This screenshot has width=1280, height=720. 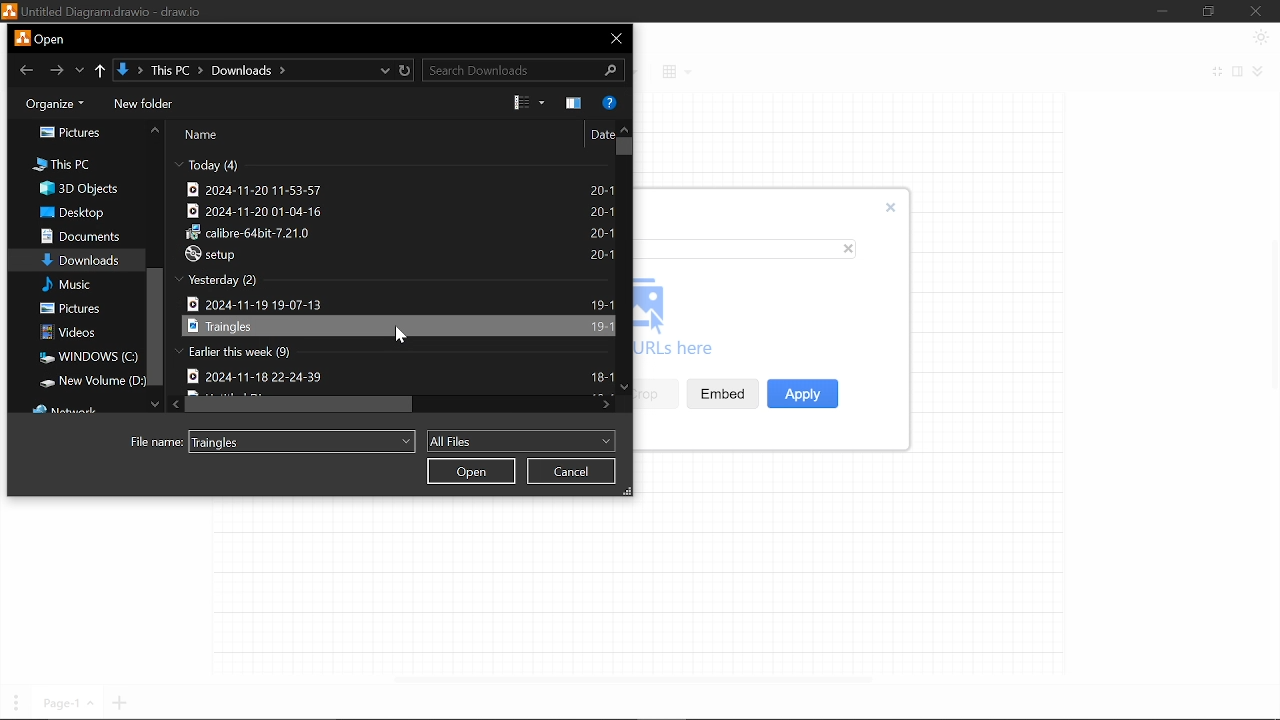 I want to click on Yesterday (2), so click(x=219, y=282).